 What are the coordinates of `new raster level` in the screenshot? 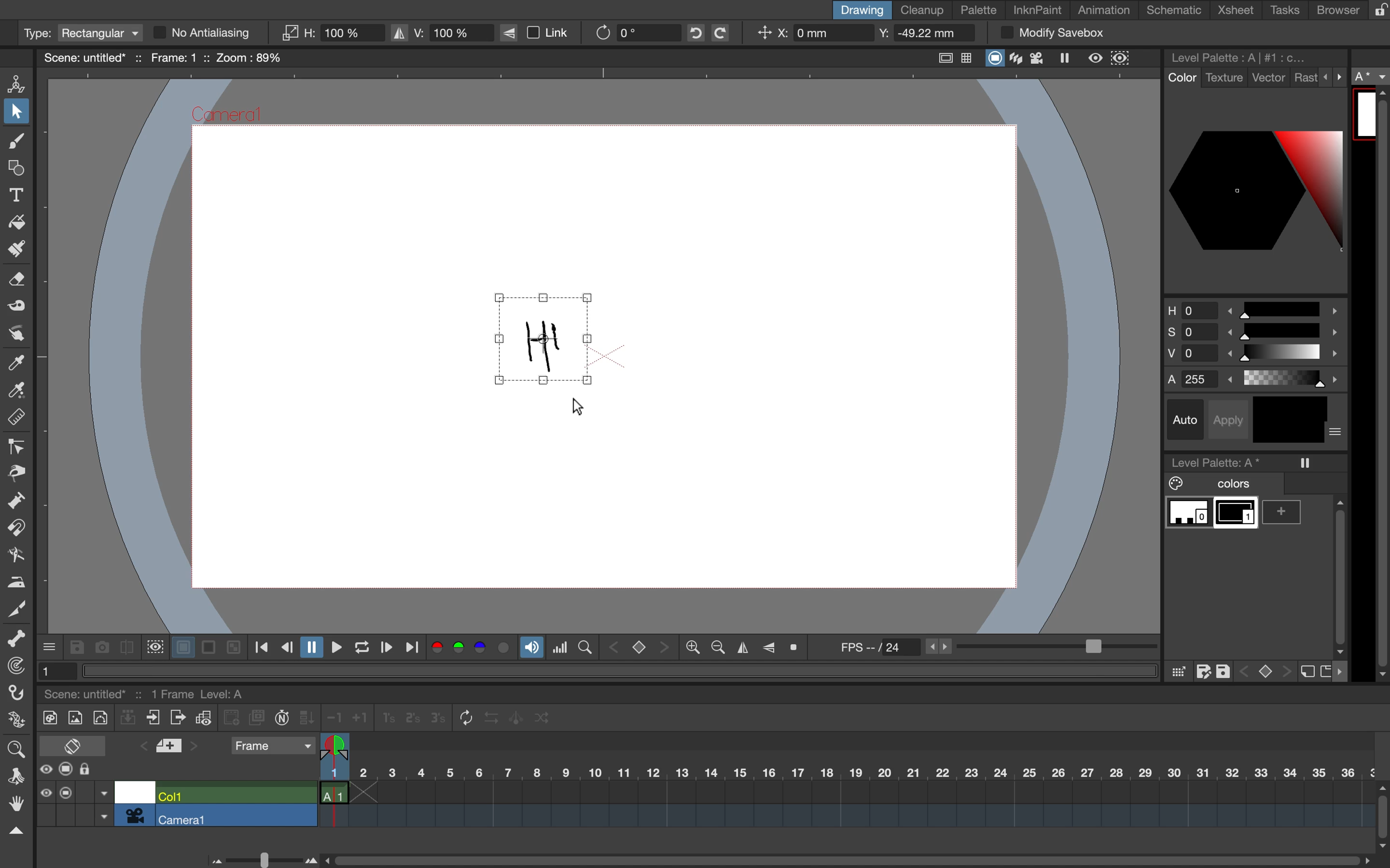 It's located at (74, 719).